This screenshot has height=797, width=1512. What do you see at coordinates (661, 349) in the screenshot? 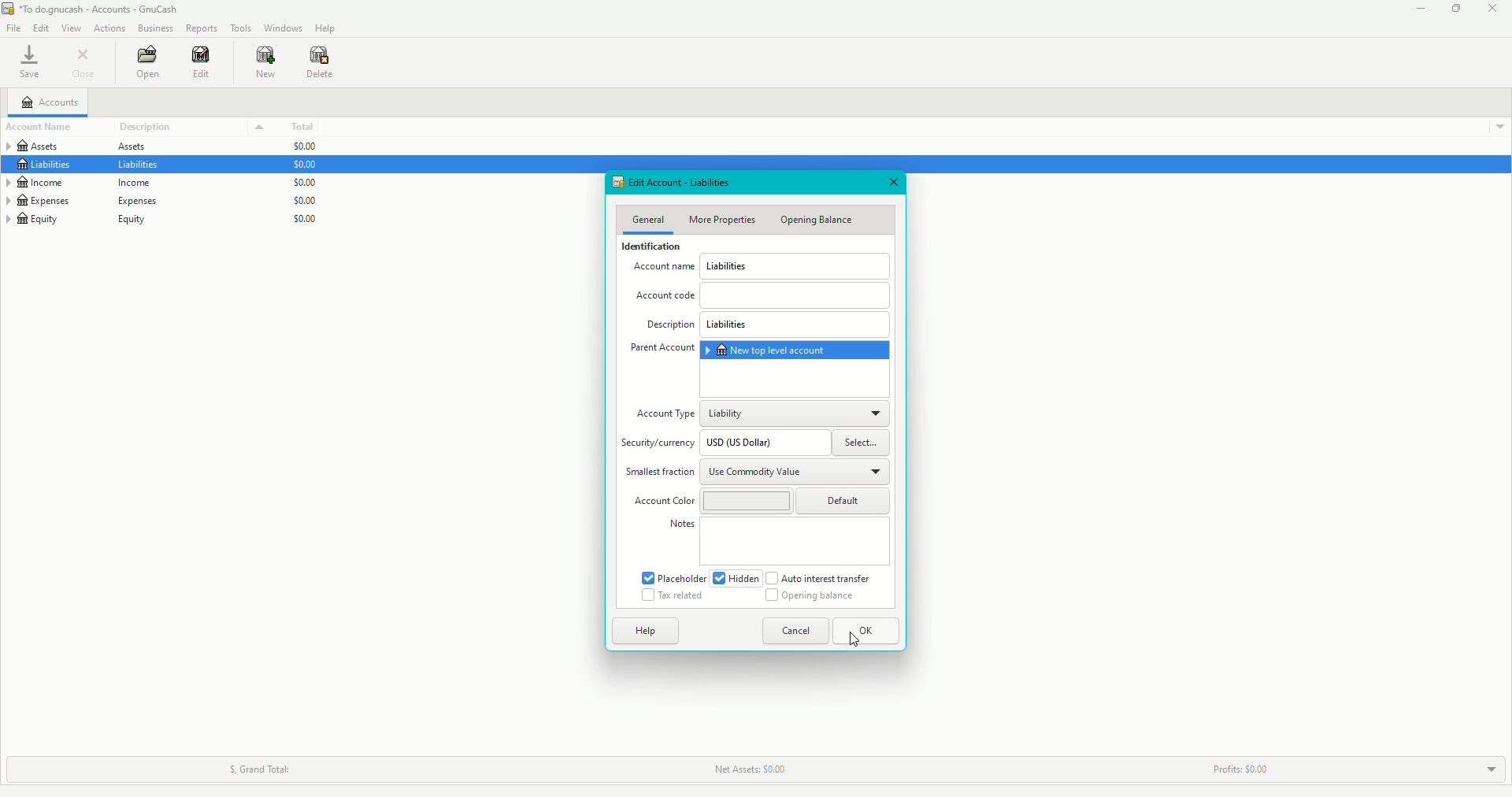
I see `Parent Account` at bounding box center [661, 349].